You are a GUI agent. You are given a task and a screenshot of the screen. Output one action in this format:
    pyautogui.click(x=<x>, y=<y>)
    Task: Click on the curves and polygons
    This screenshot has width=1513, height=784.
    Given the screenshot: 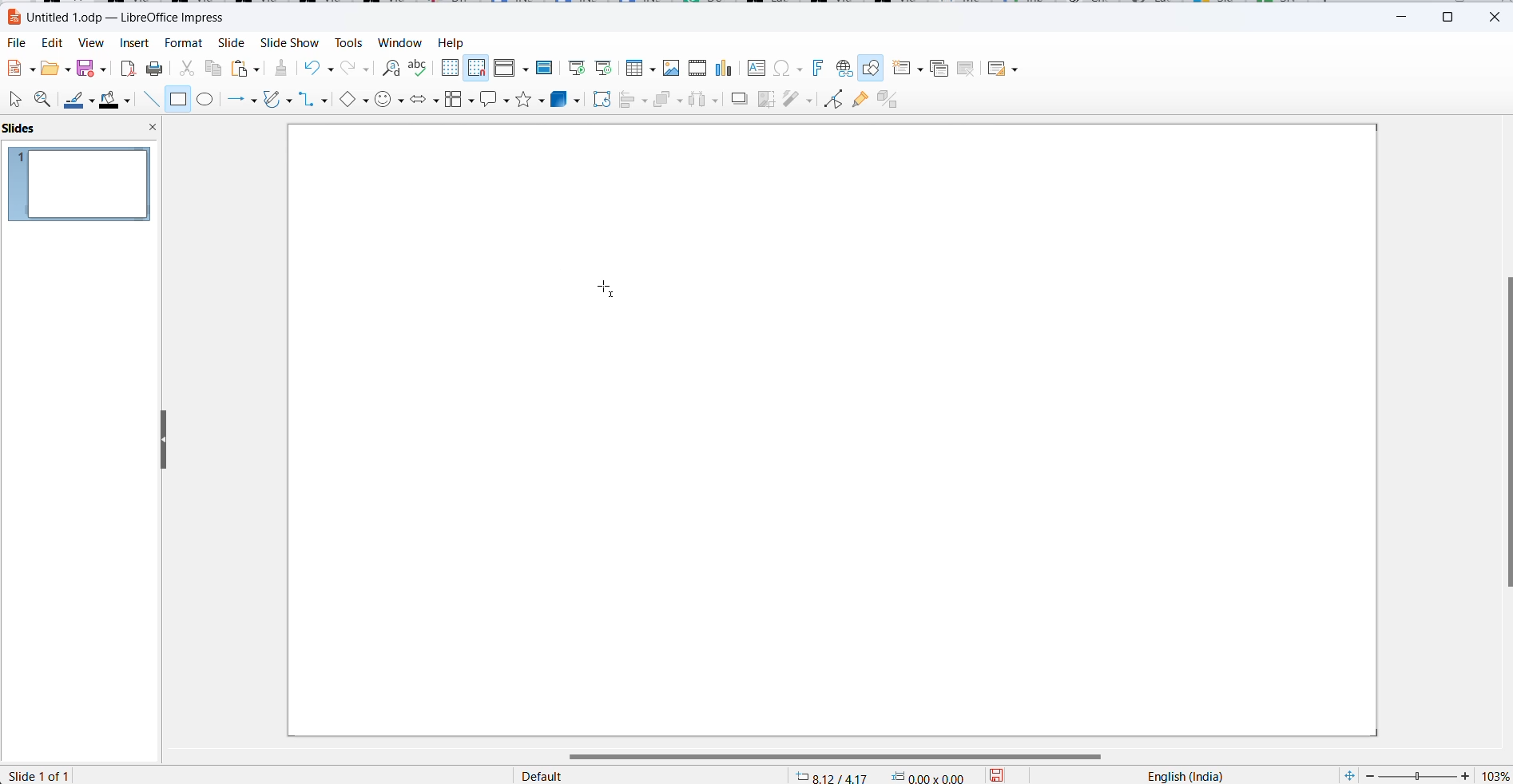 What is the action you would take?
    pyautogui.click(x=276, y=101)
    